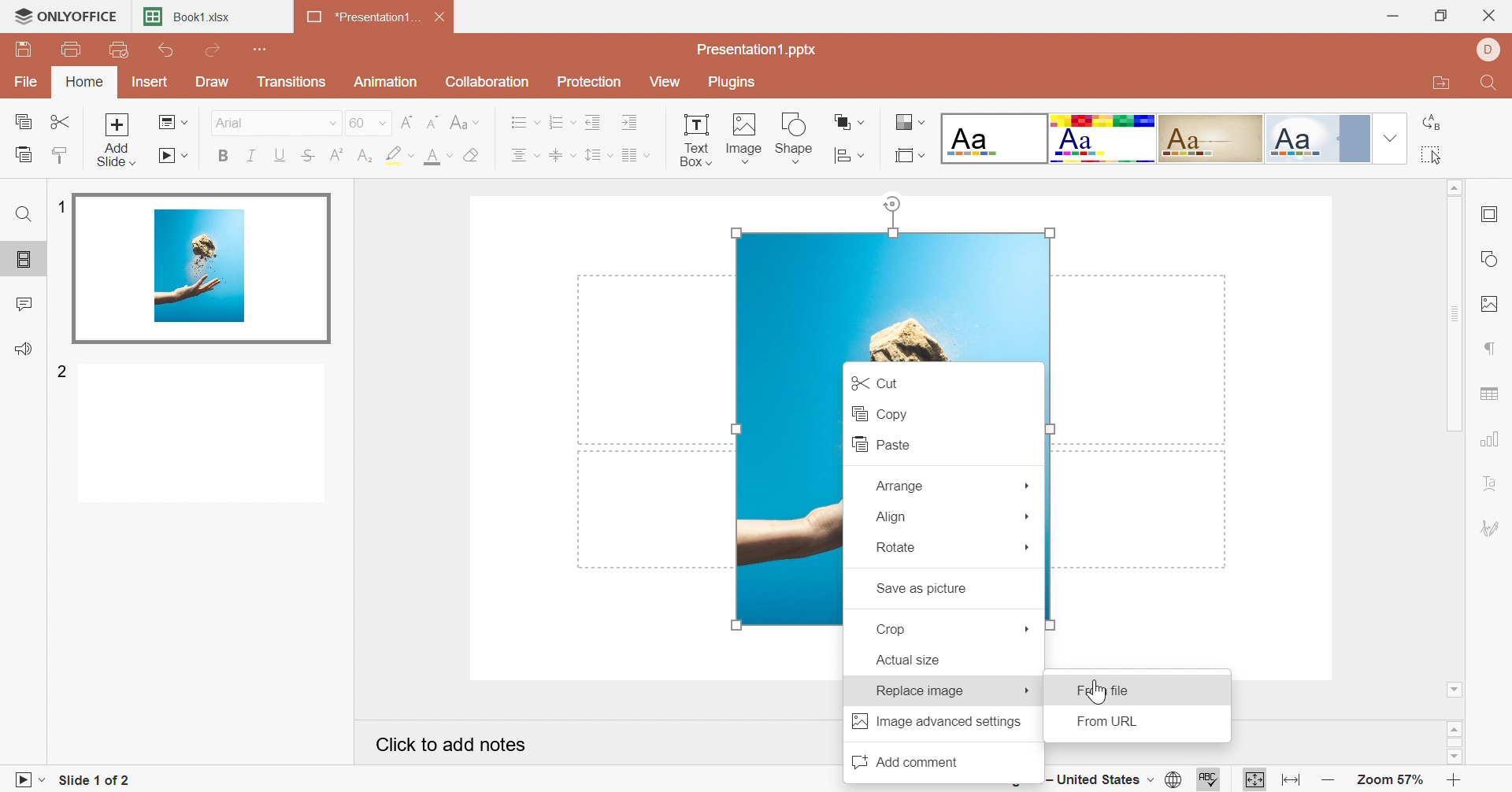  I want to click on Save, so click(26, 52).